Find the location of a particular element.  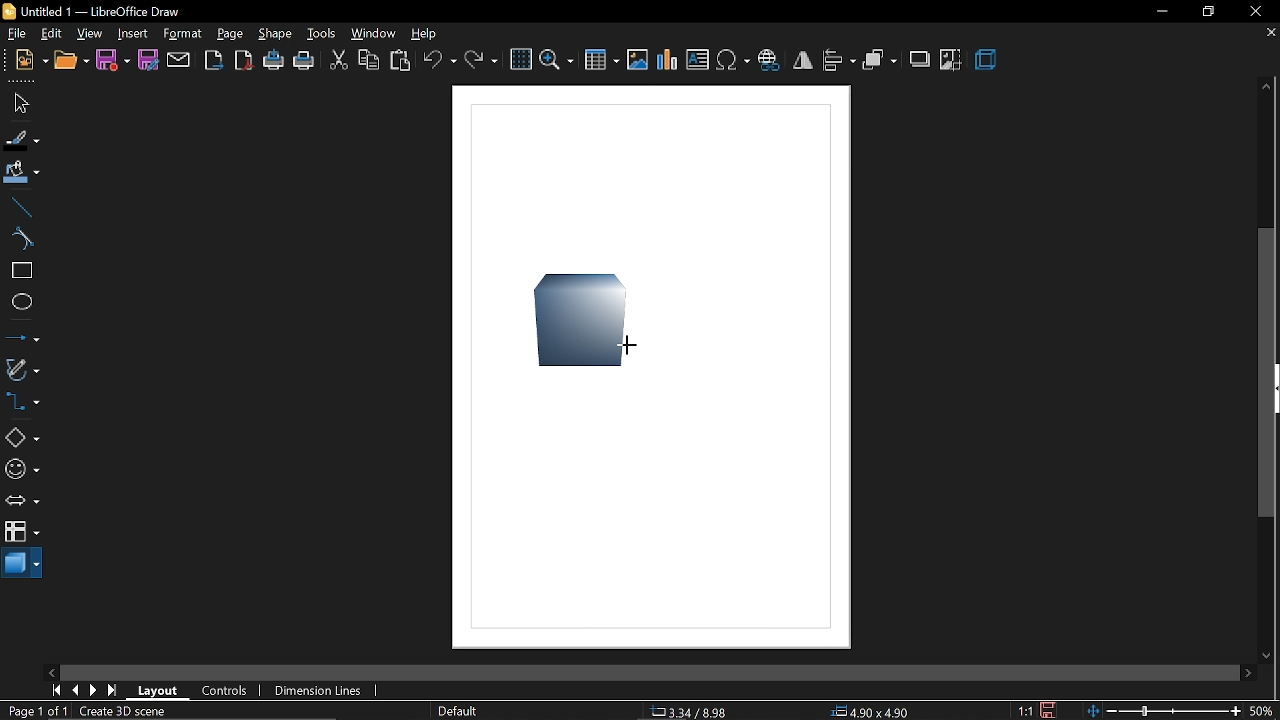

undo is located at coordinates (440, 62).